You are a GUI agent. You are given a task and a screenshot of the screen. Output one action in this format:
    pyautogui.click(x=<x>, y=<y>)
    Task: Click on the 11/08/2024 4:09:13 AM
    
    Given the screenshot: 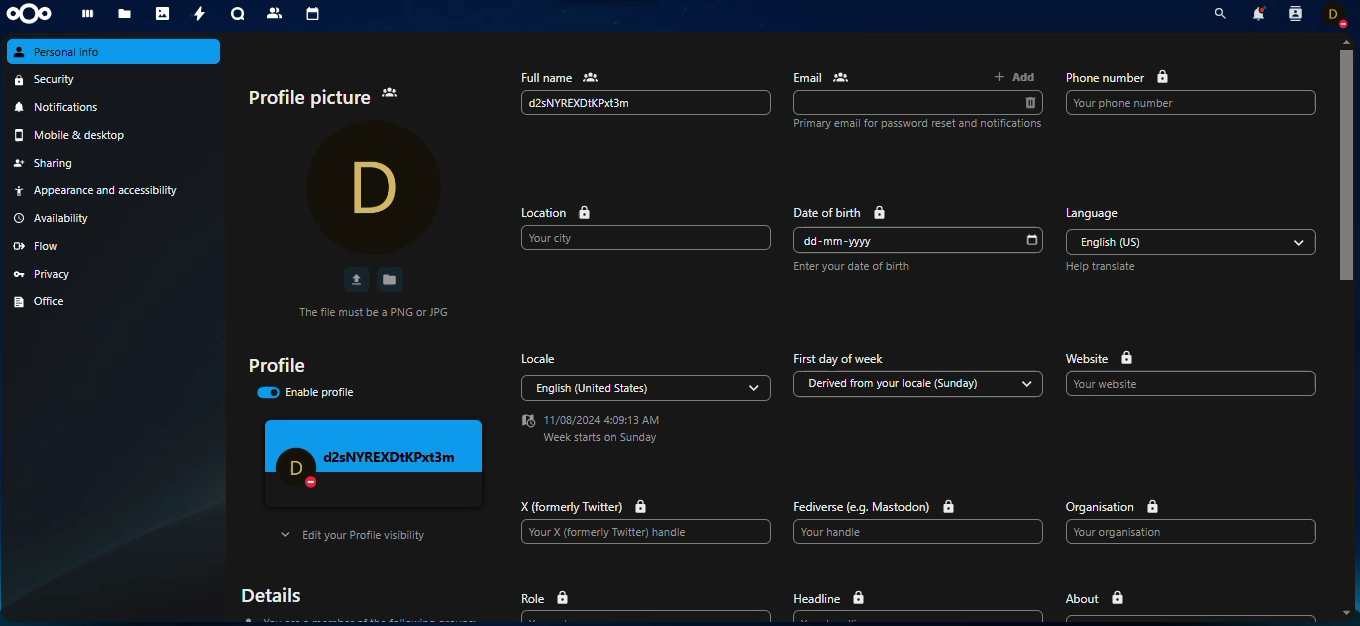 What is the action you would take?
    pyautogui.click(x=604, y=419)
    